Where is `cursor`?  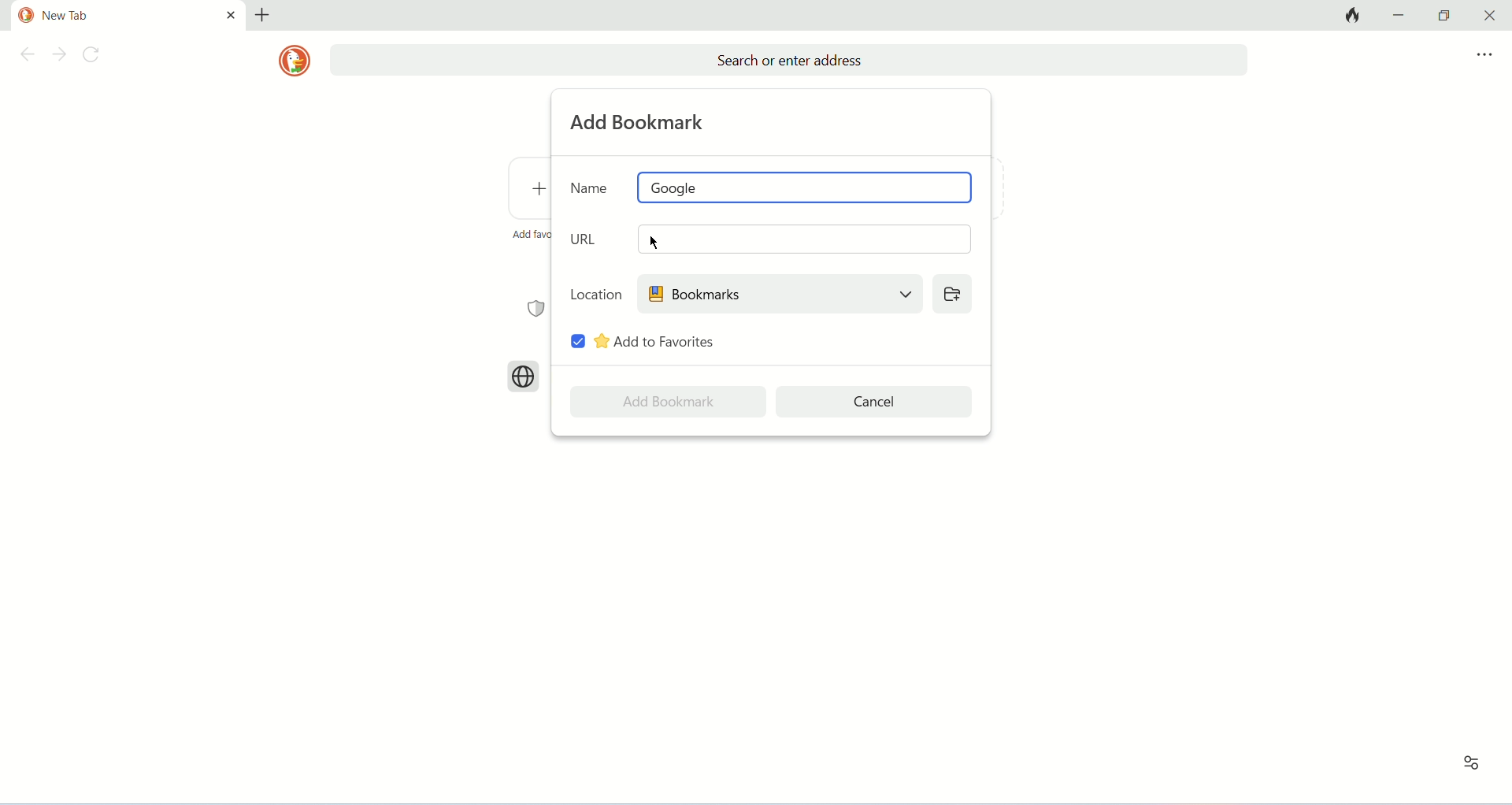
cursor is located at coordinates (654, 243).